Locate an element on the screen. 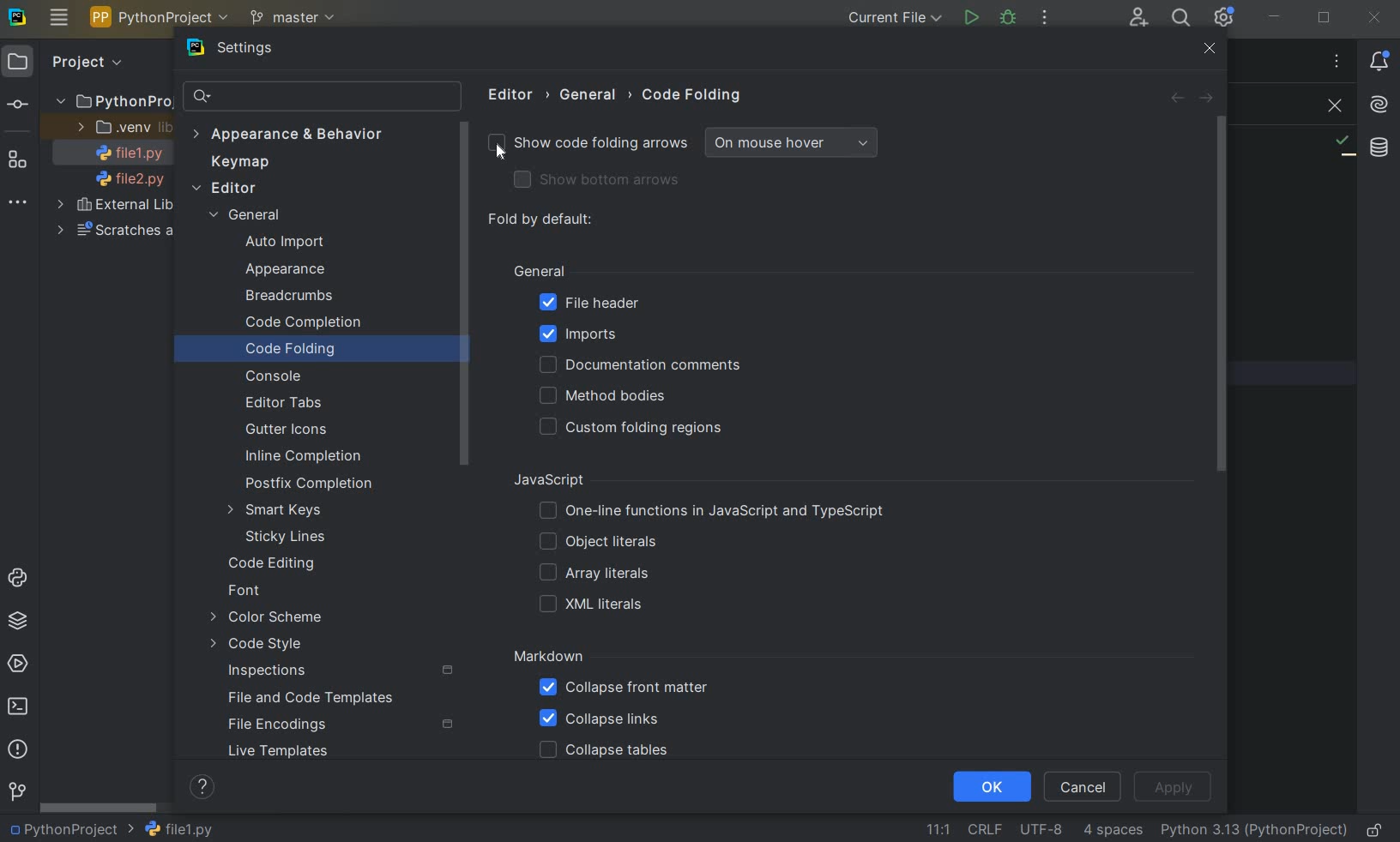 This screenshot has height=842, width=1400. CURRENT INTERPRETER is located at coordinates (1253, 831).